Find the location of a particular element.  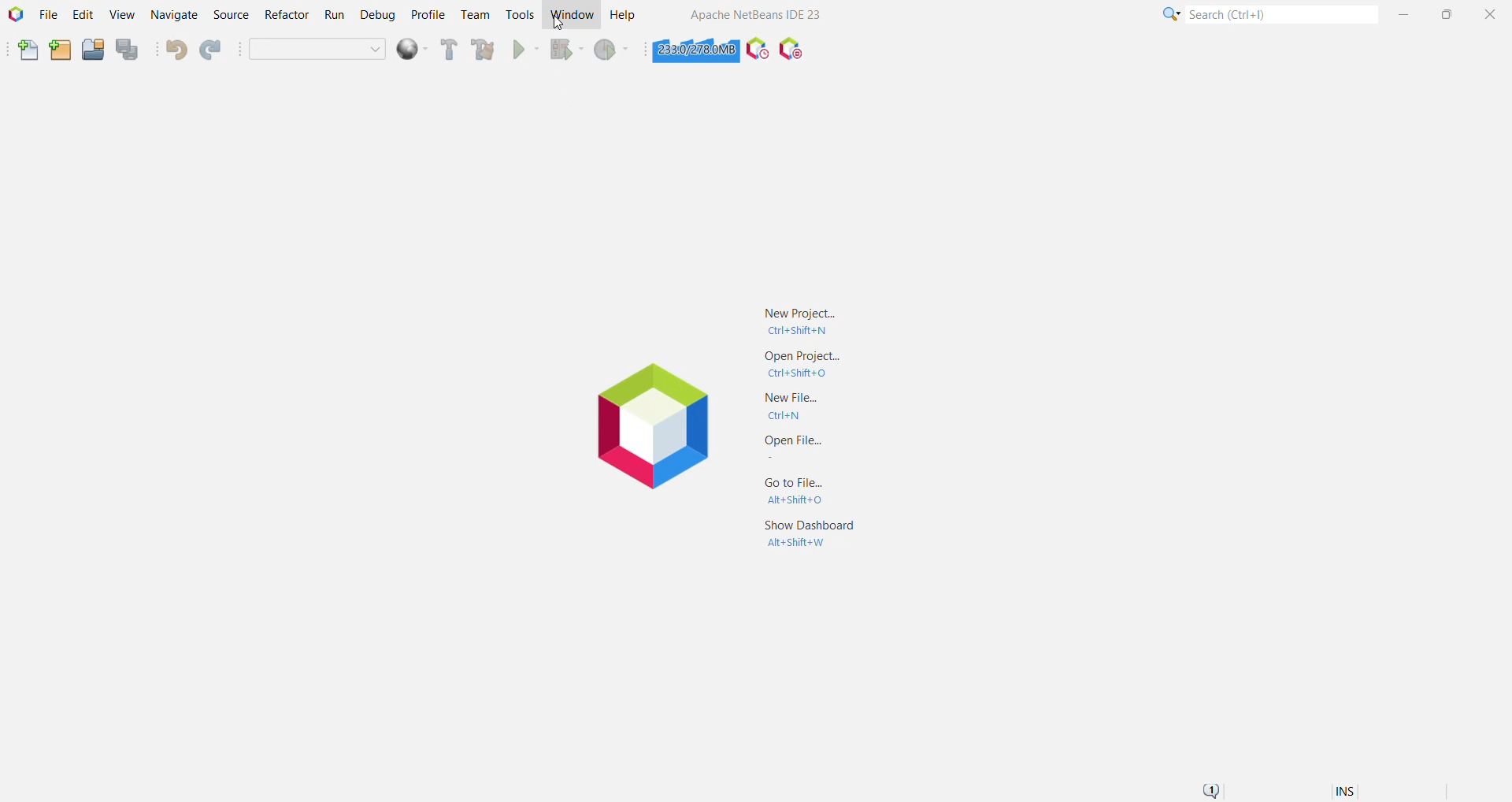

File is located at coordinates (49, 15).